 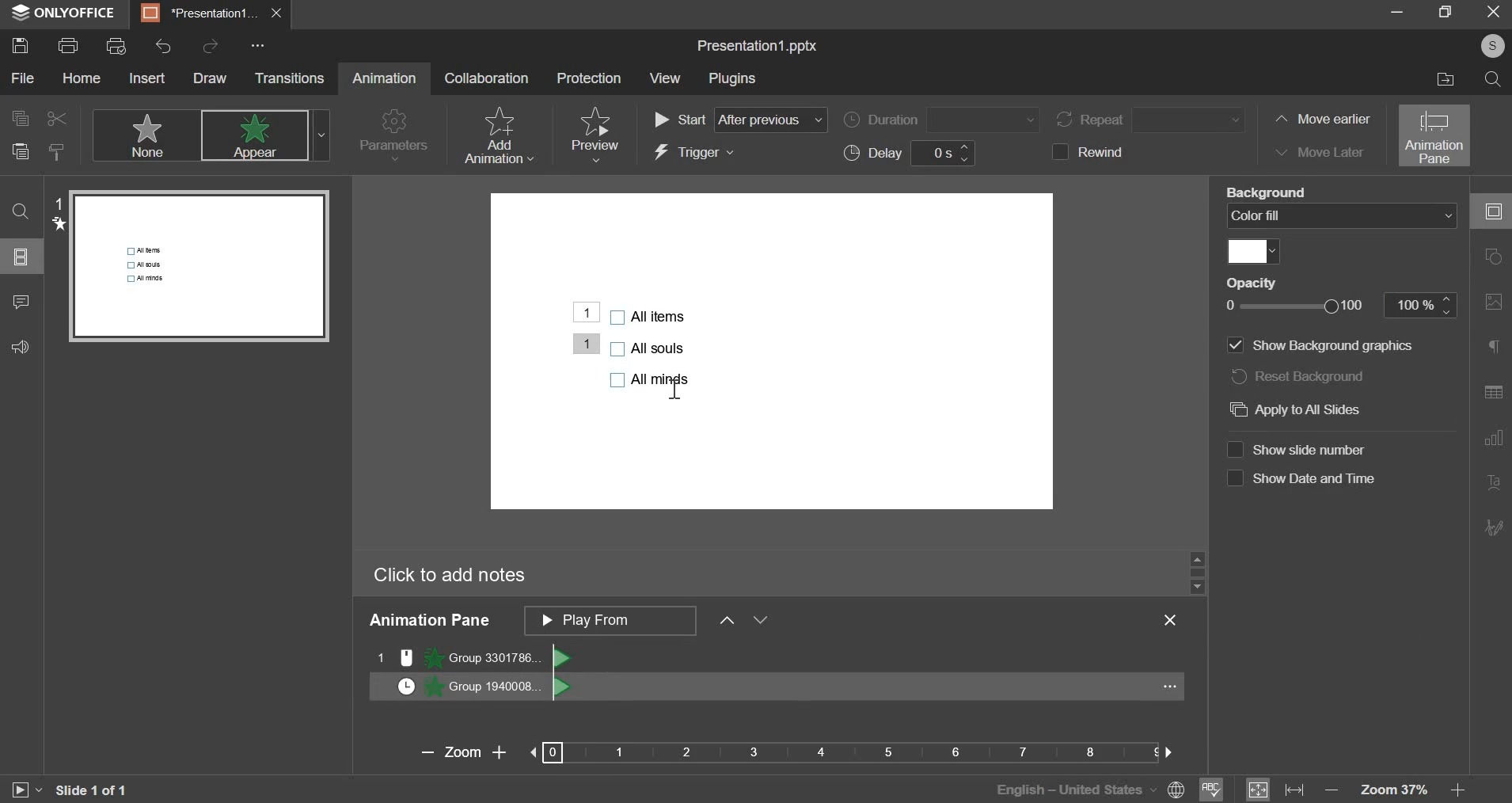 I want to click on comment, so click(x=20, y=304).